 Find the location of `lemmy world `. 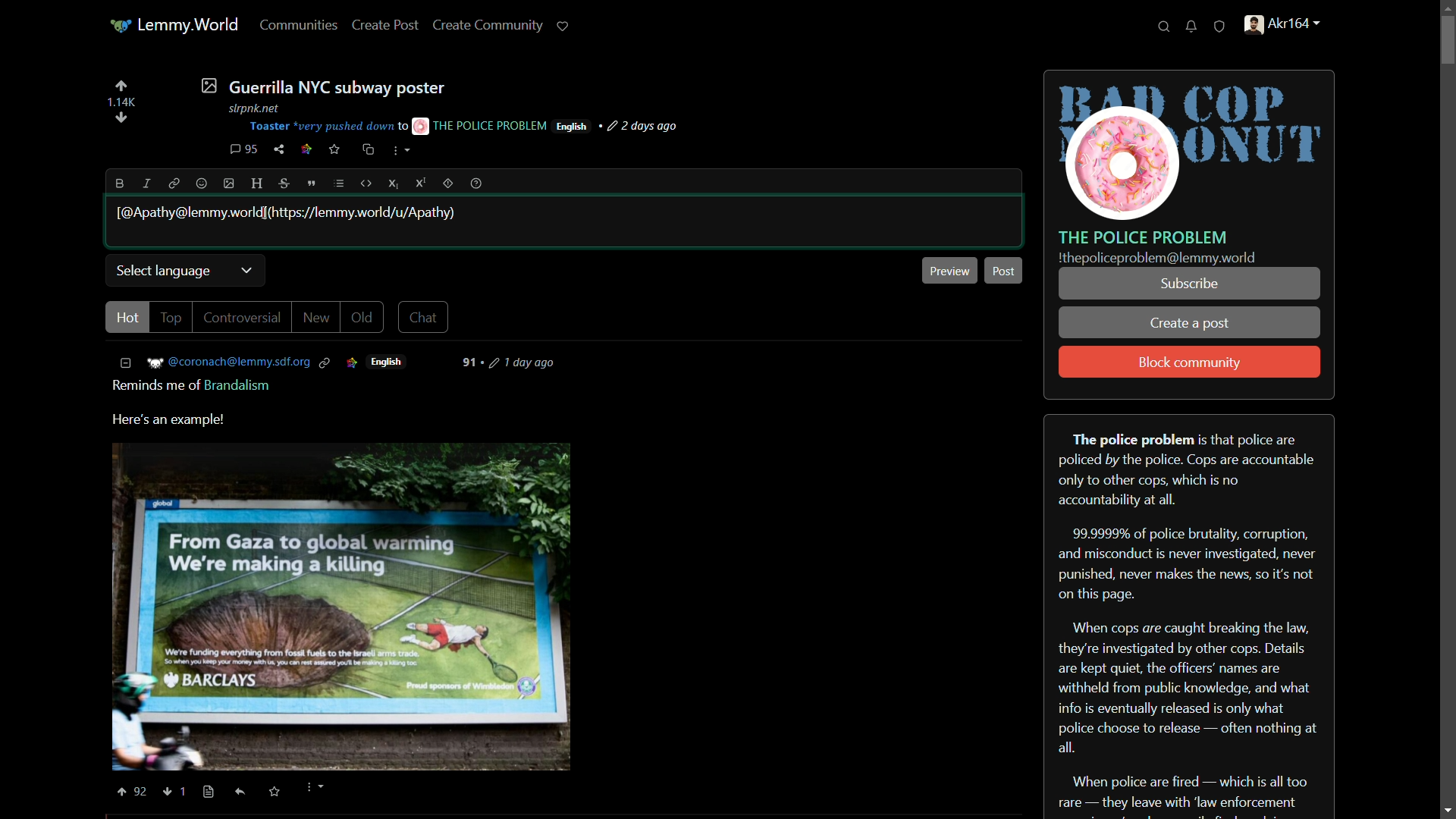

lemmy world  is located at coordinates (176, 26).